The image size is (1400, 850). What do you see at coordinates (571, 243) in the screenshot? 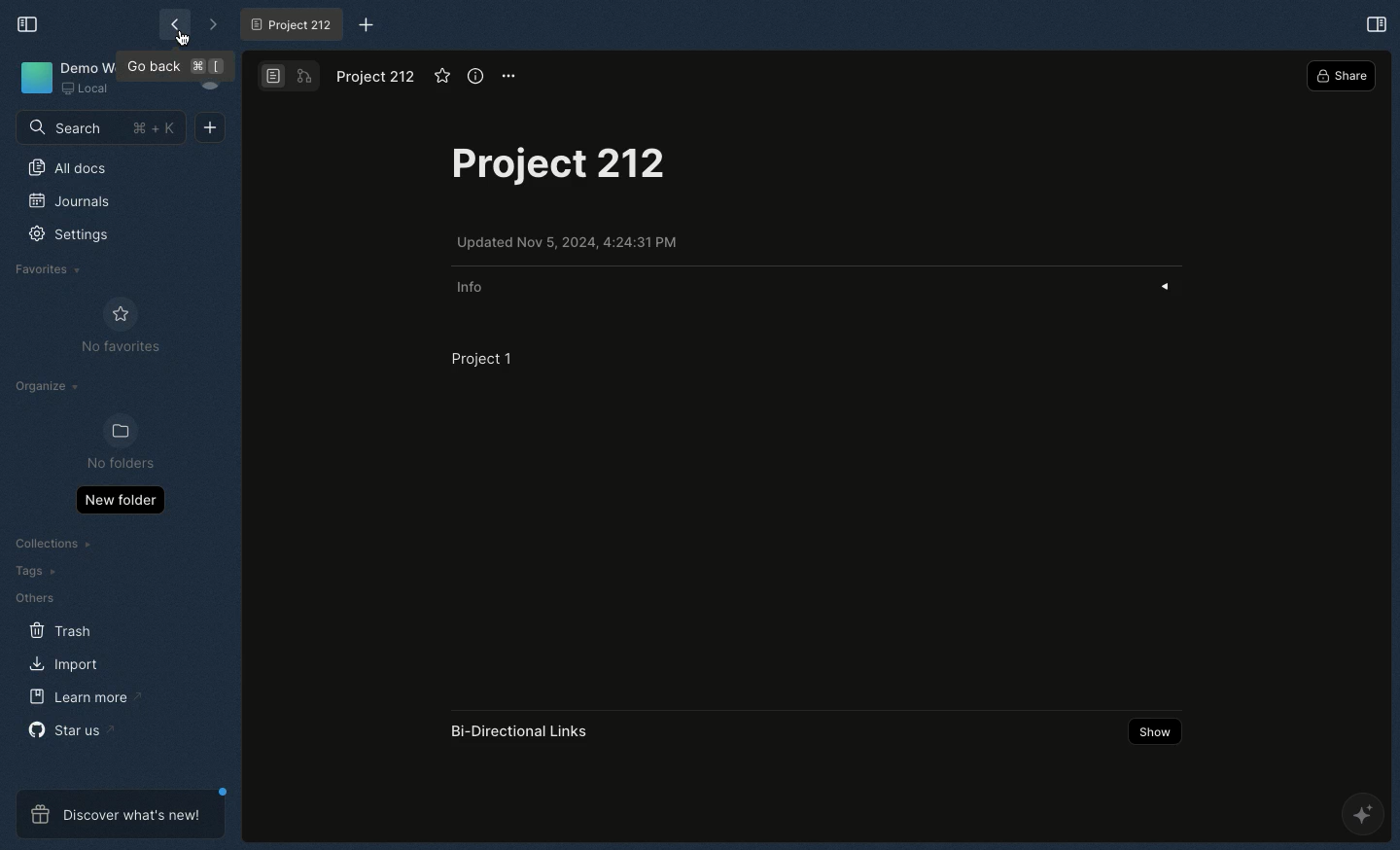
I see `Updated Nov 5, 2024, 4:19:41 PM` at bounding box center [571, 243].